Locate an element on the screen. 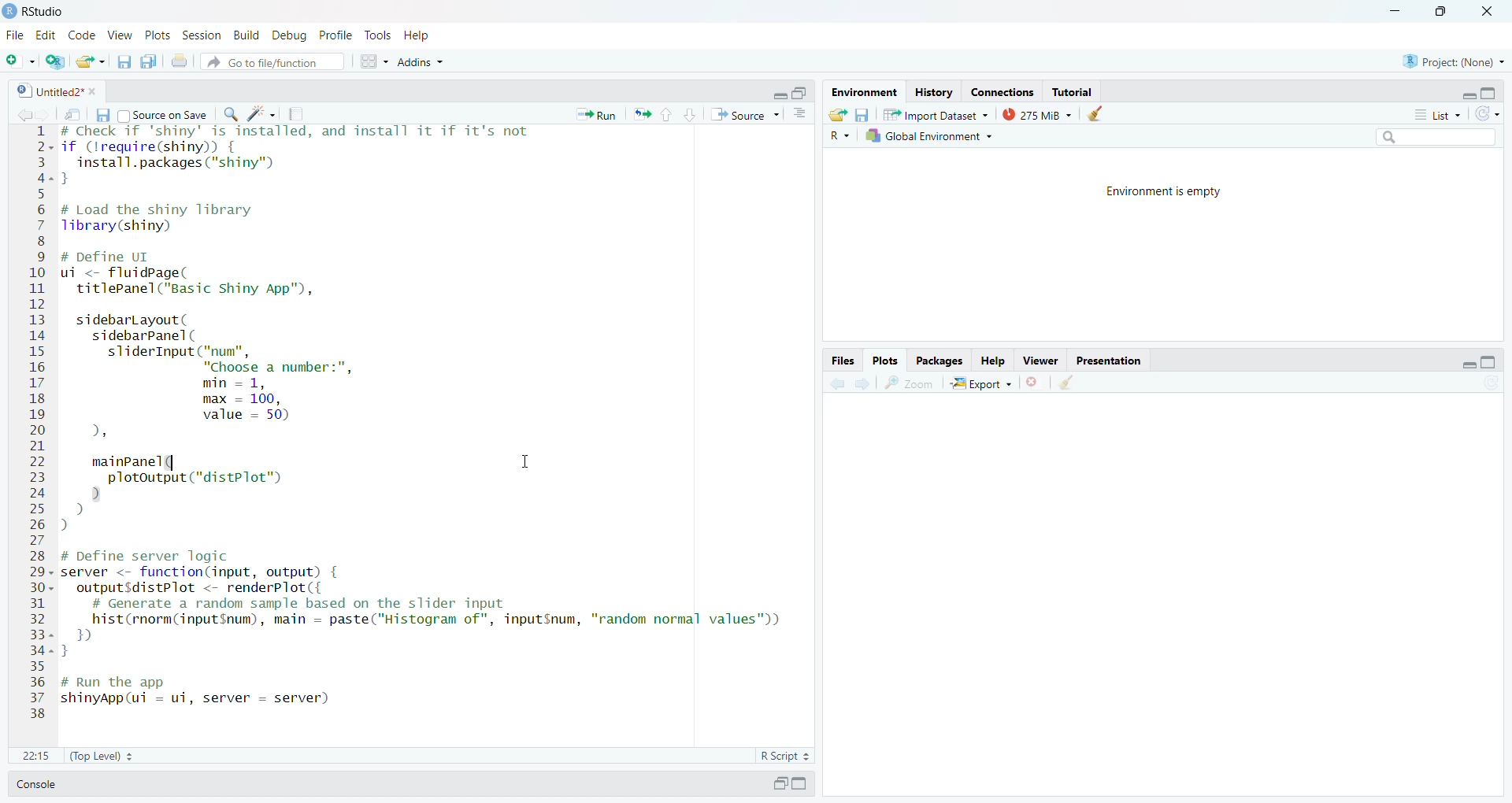 This screenshot has width=1512, height=803. Untitled2 file is located at coordinates (48, 91).